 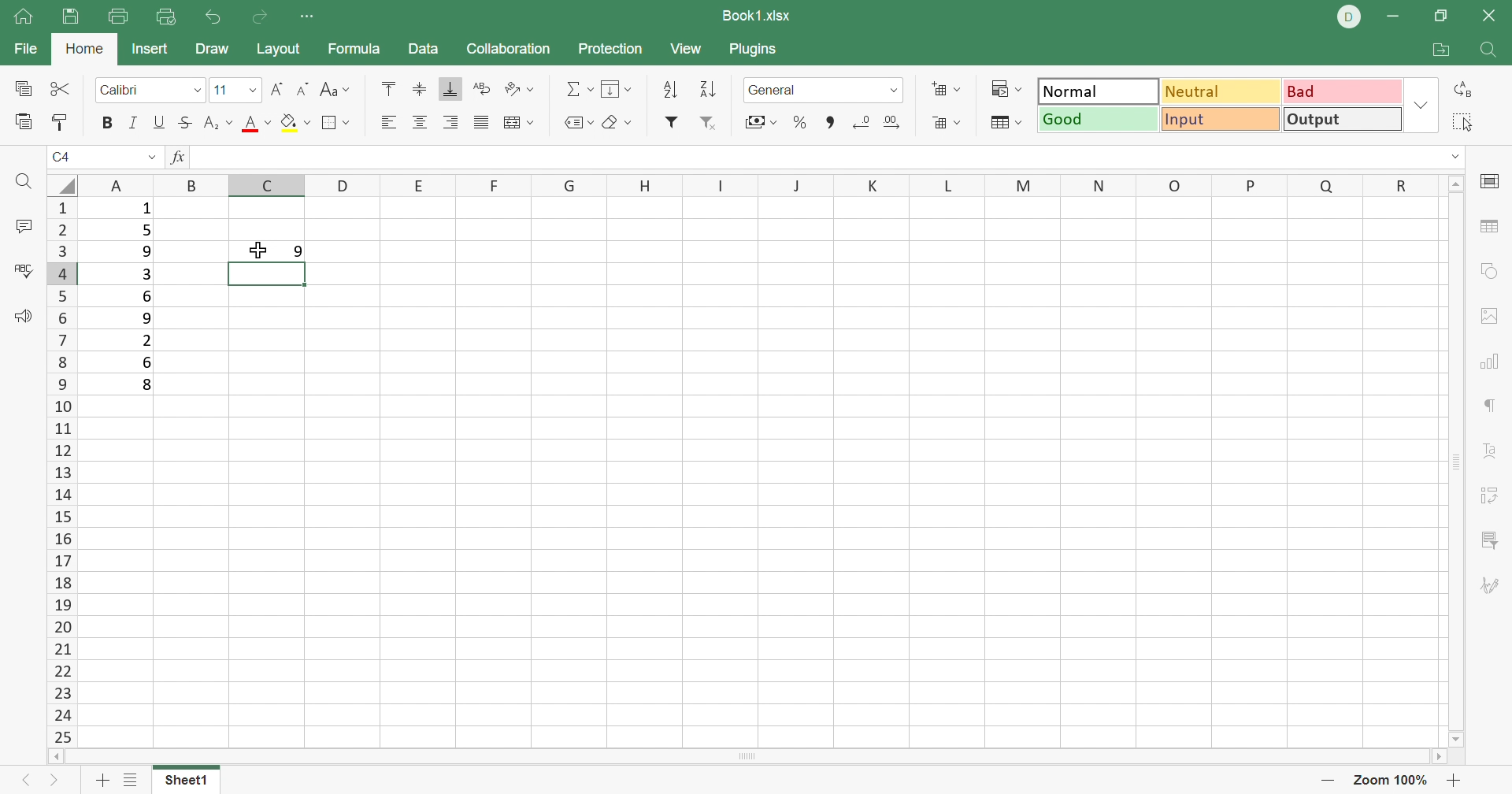 I want to click on Cursor, so click(x=258, y=249).